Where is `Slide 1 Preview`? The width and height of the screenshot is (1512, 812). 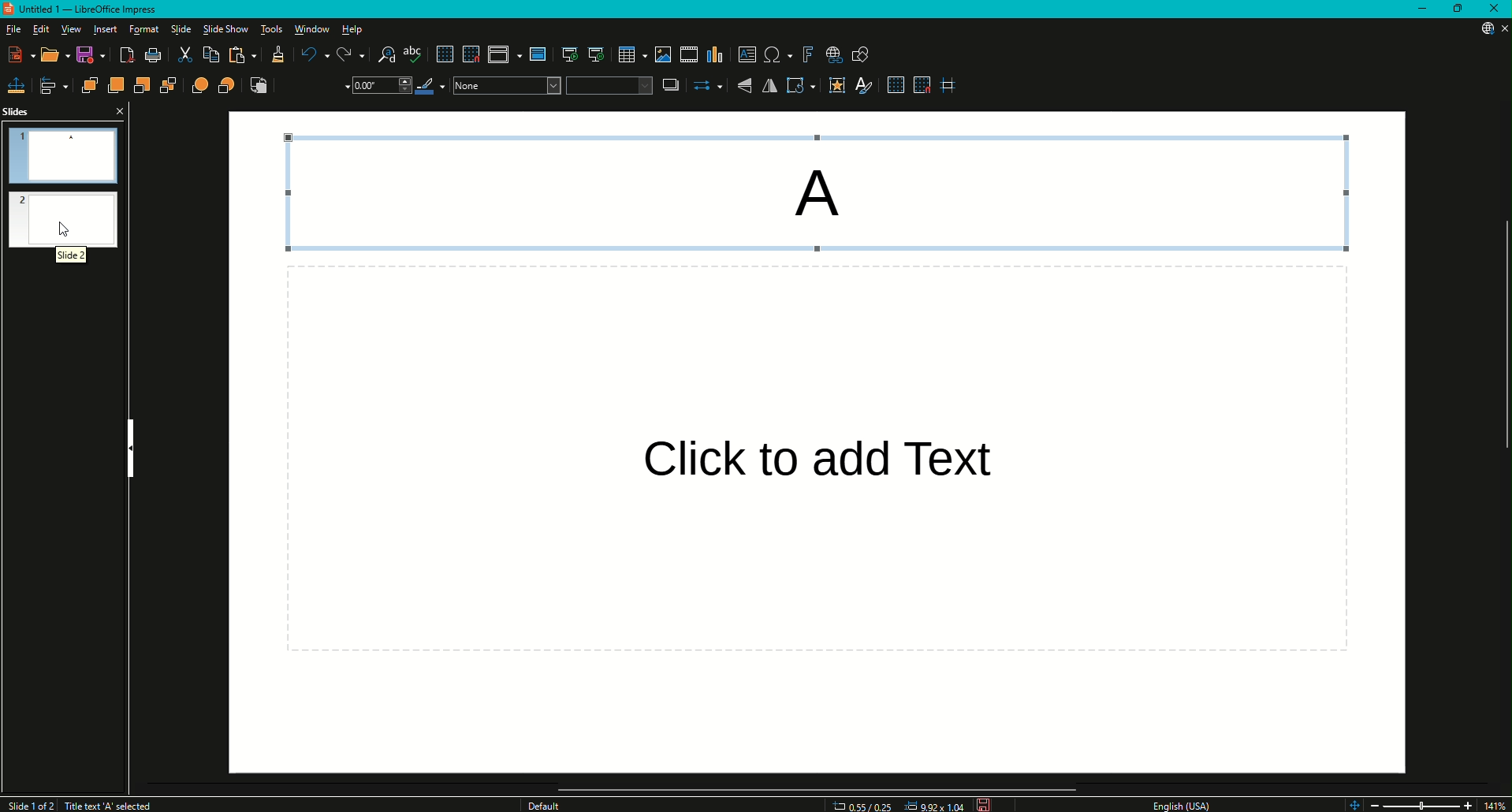
Slide 1 Preview is located at coordinates (65, 155).